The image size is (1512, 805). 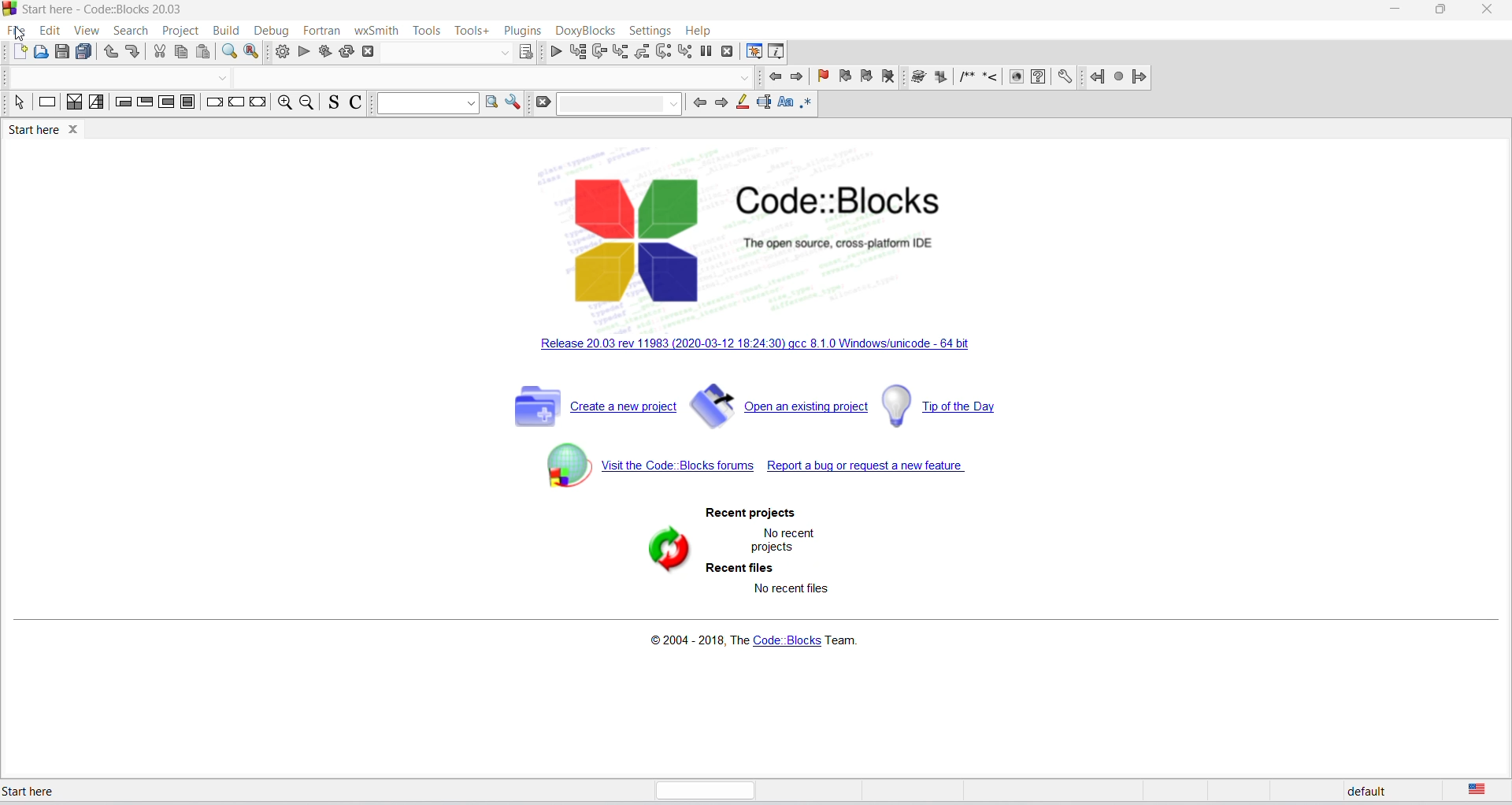 I want to click on add bookmark, so click(x=821, y=76).